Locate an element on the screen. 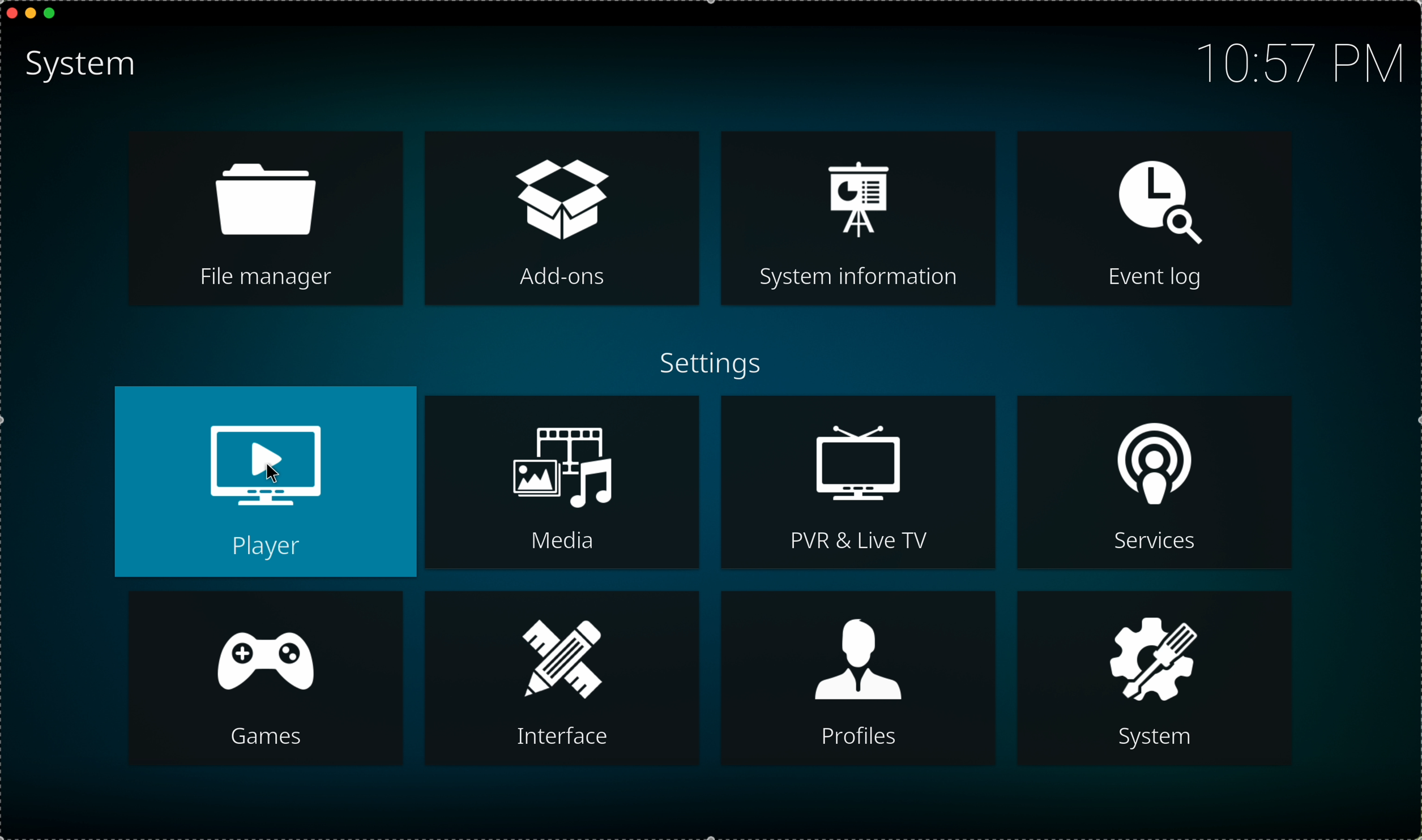  system is located at coordinates (1159, 676).